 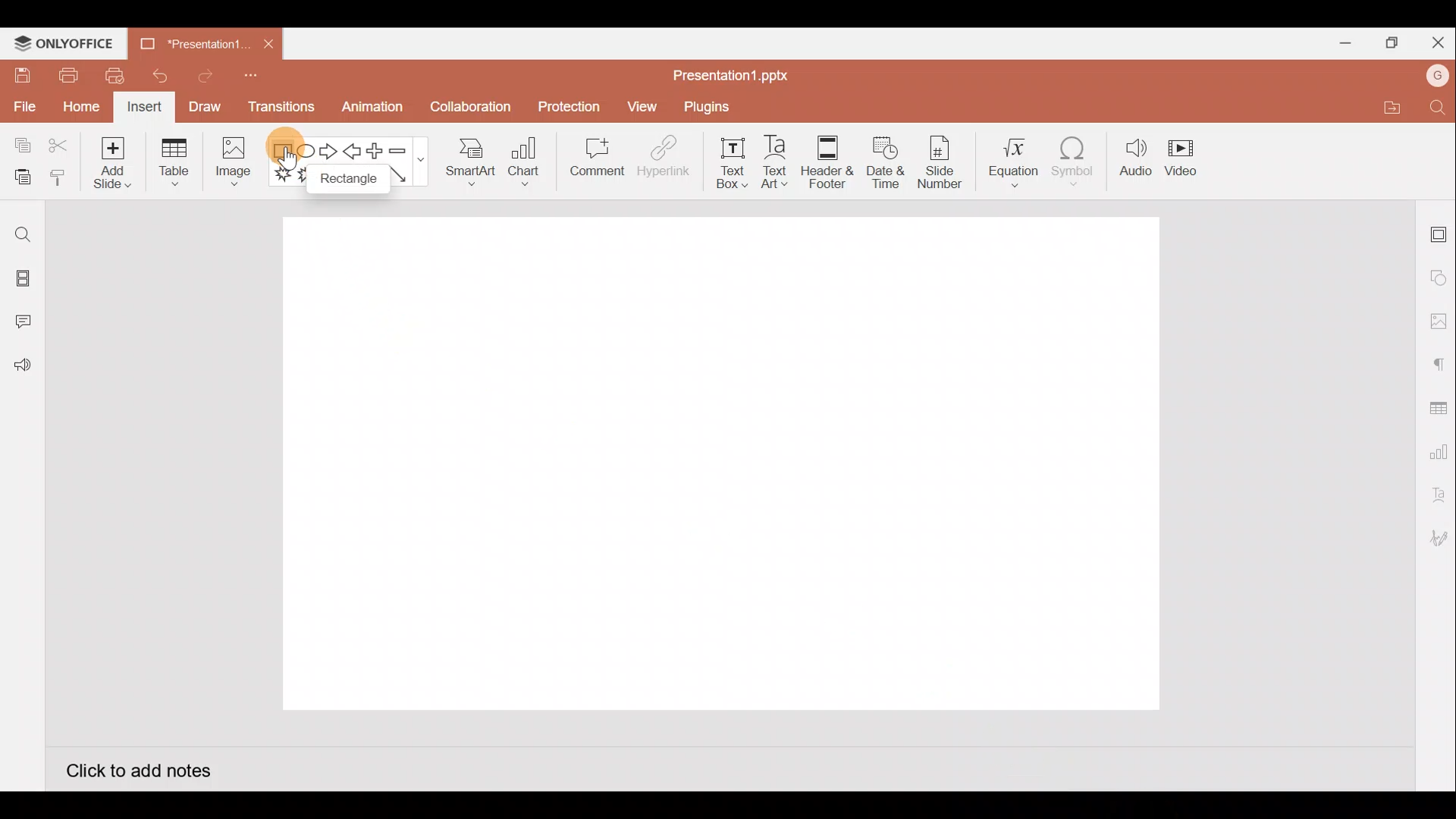 I want to click on Quick print, so click(x=110, y=76).